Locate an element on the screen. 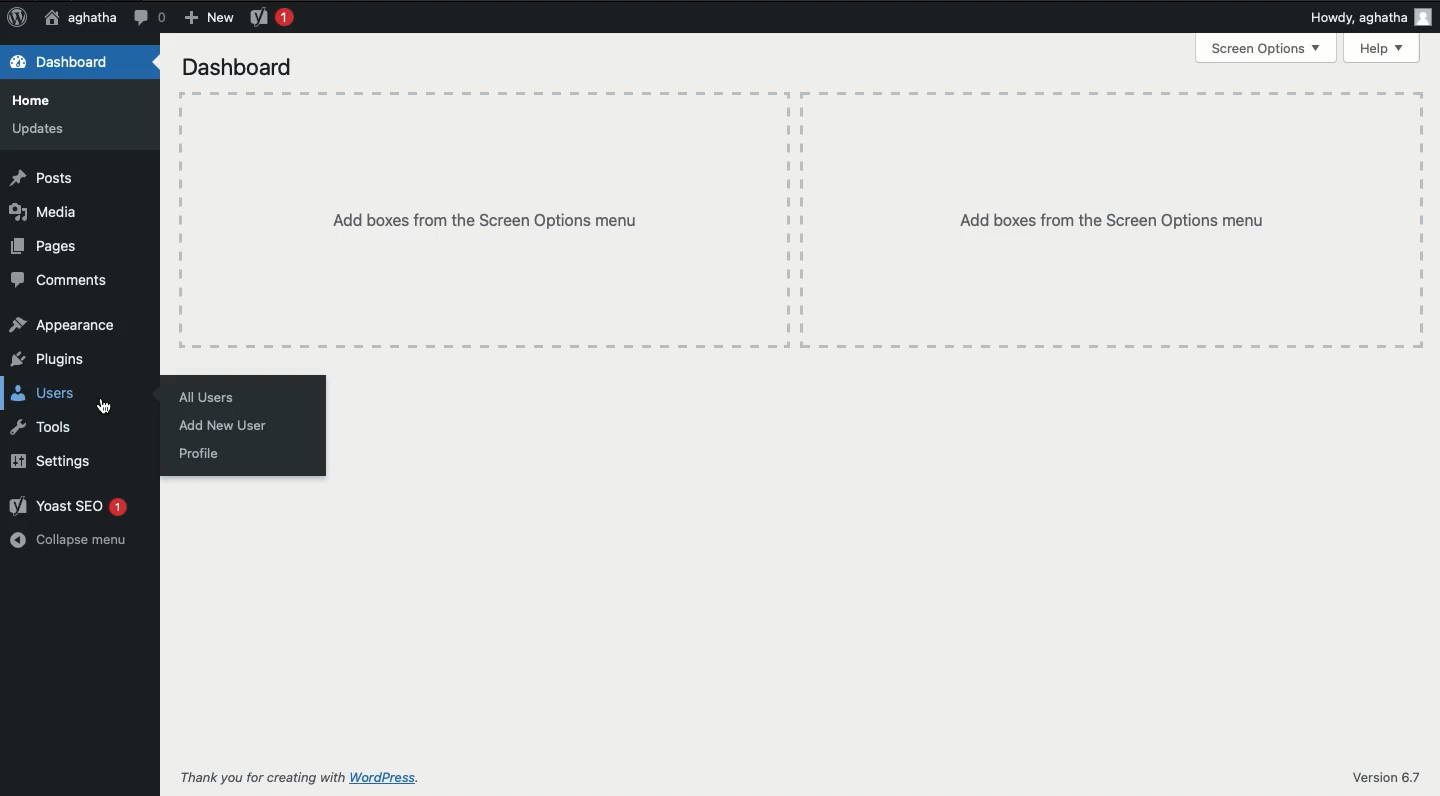  Screen options is located at coordinates (1267, 48).